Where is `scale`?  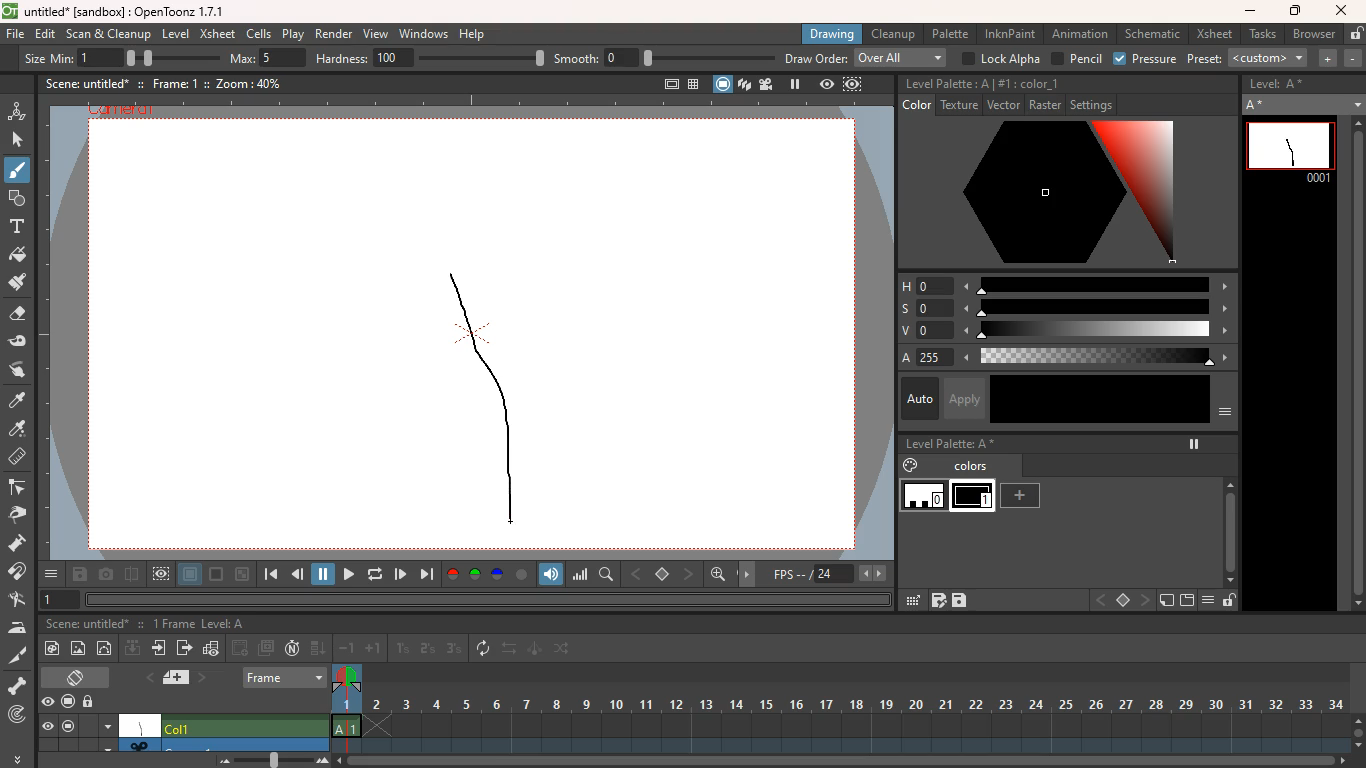 scale is located at coordinates (581, 575).